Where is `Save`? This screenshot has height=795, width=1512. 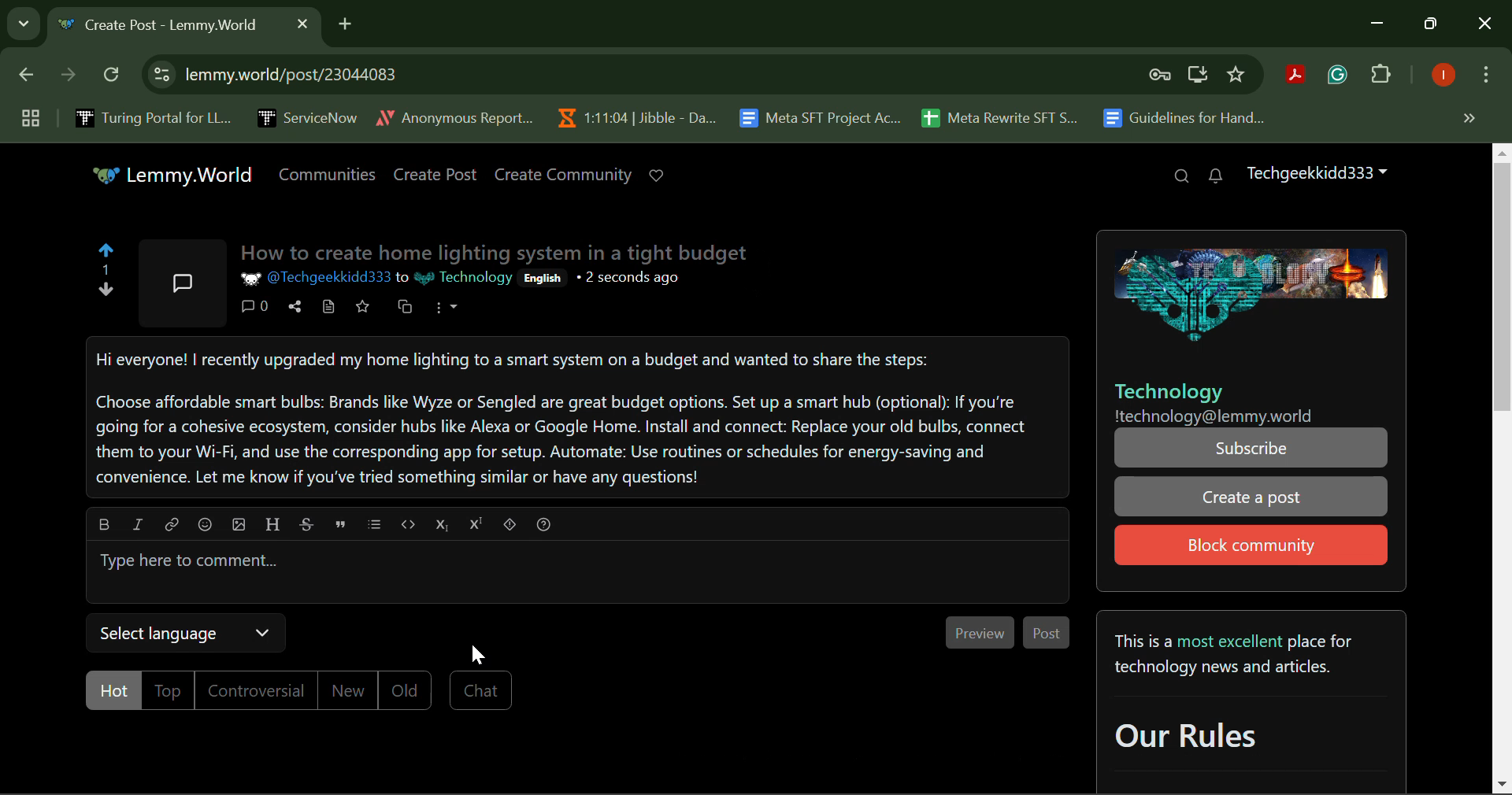 Save is located at coordinates (361, 307).